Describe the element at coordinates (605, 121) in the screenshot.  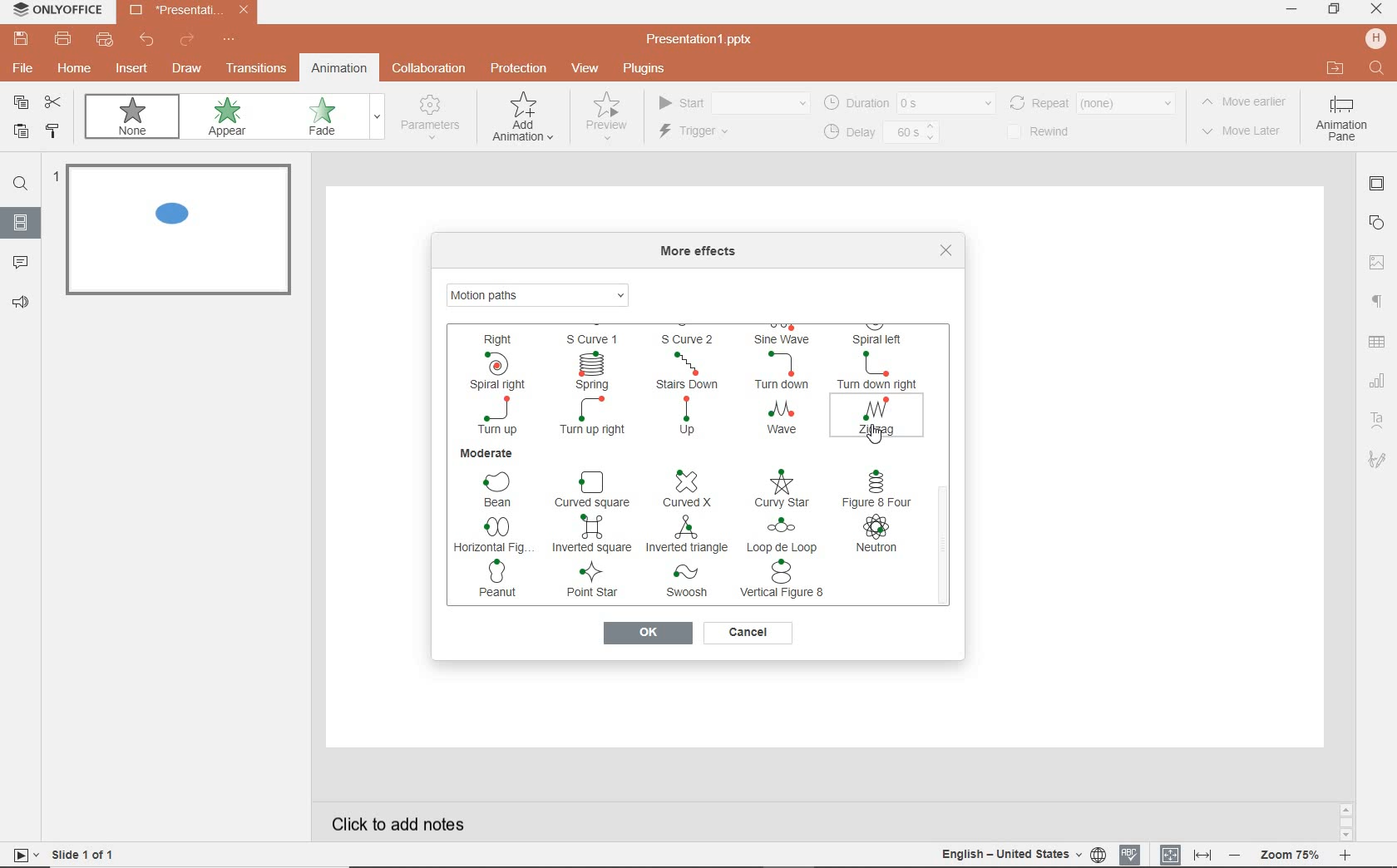
I see `preview` at that location.